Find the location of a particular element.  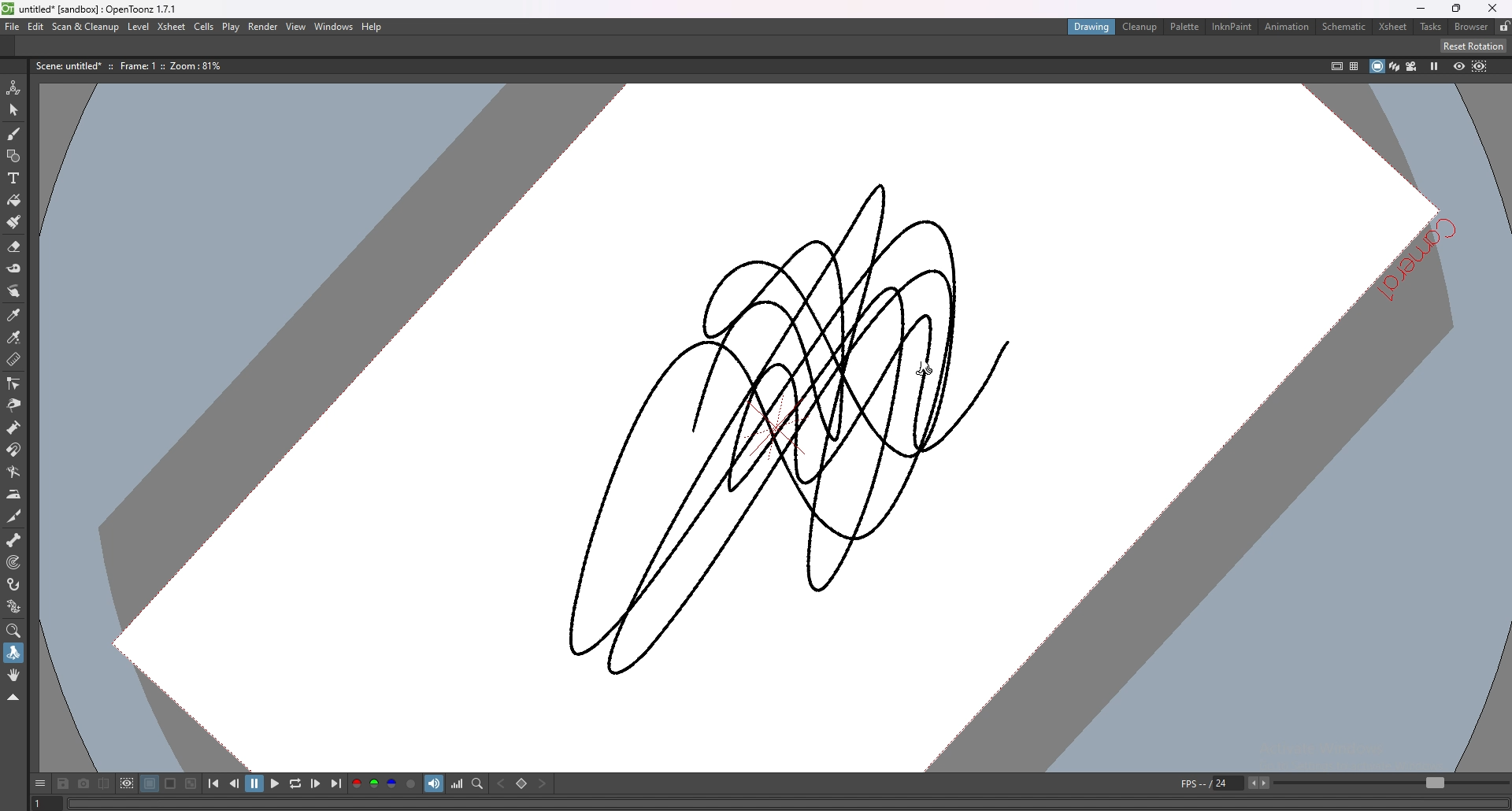

cutter is located at coordinates (13, 517).